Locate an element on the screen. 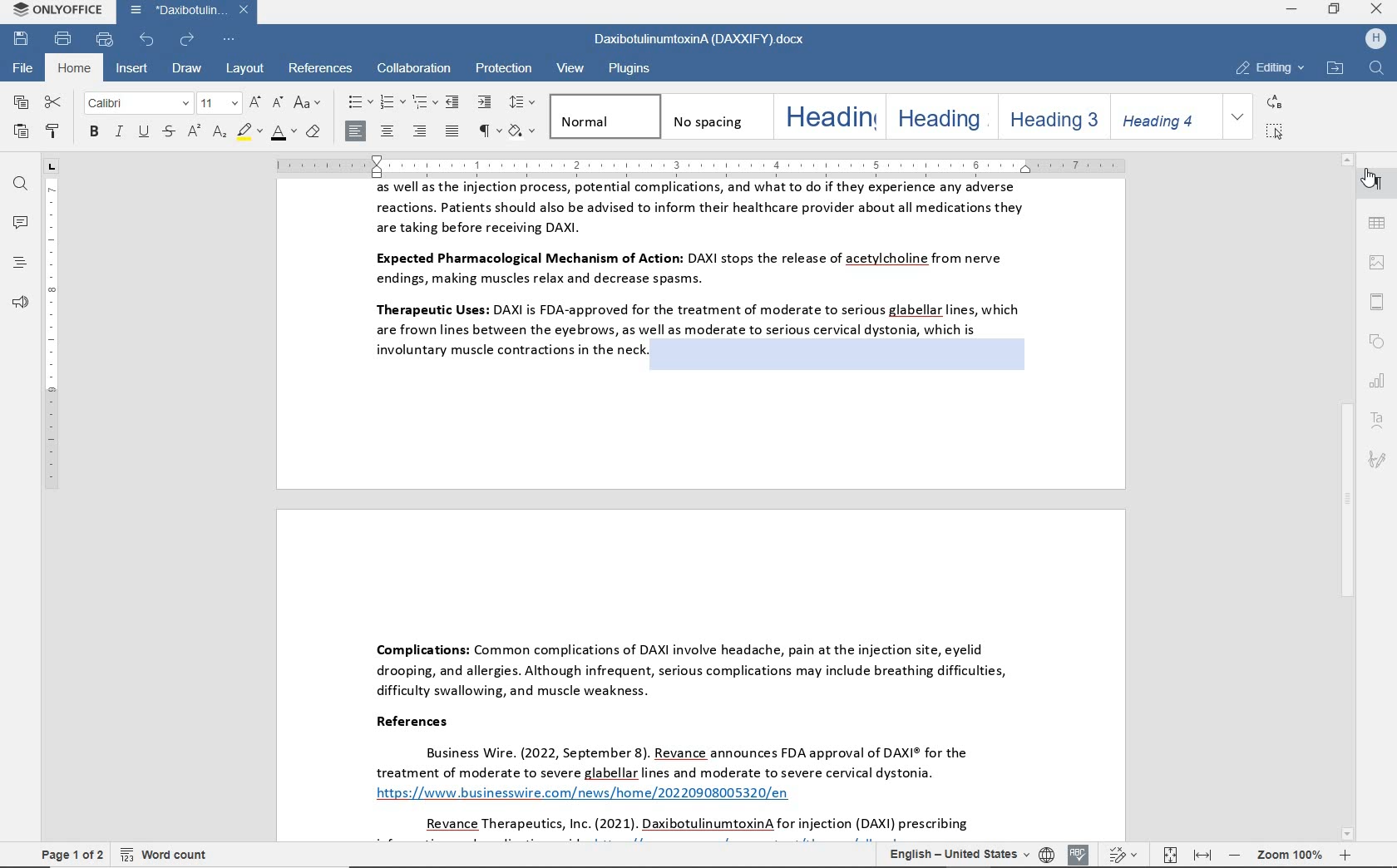  plugins is located at coordinates (632, 69).